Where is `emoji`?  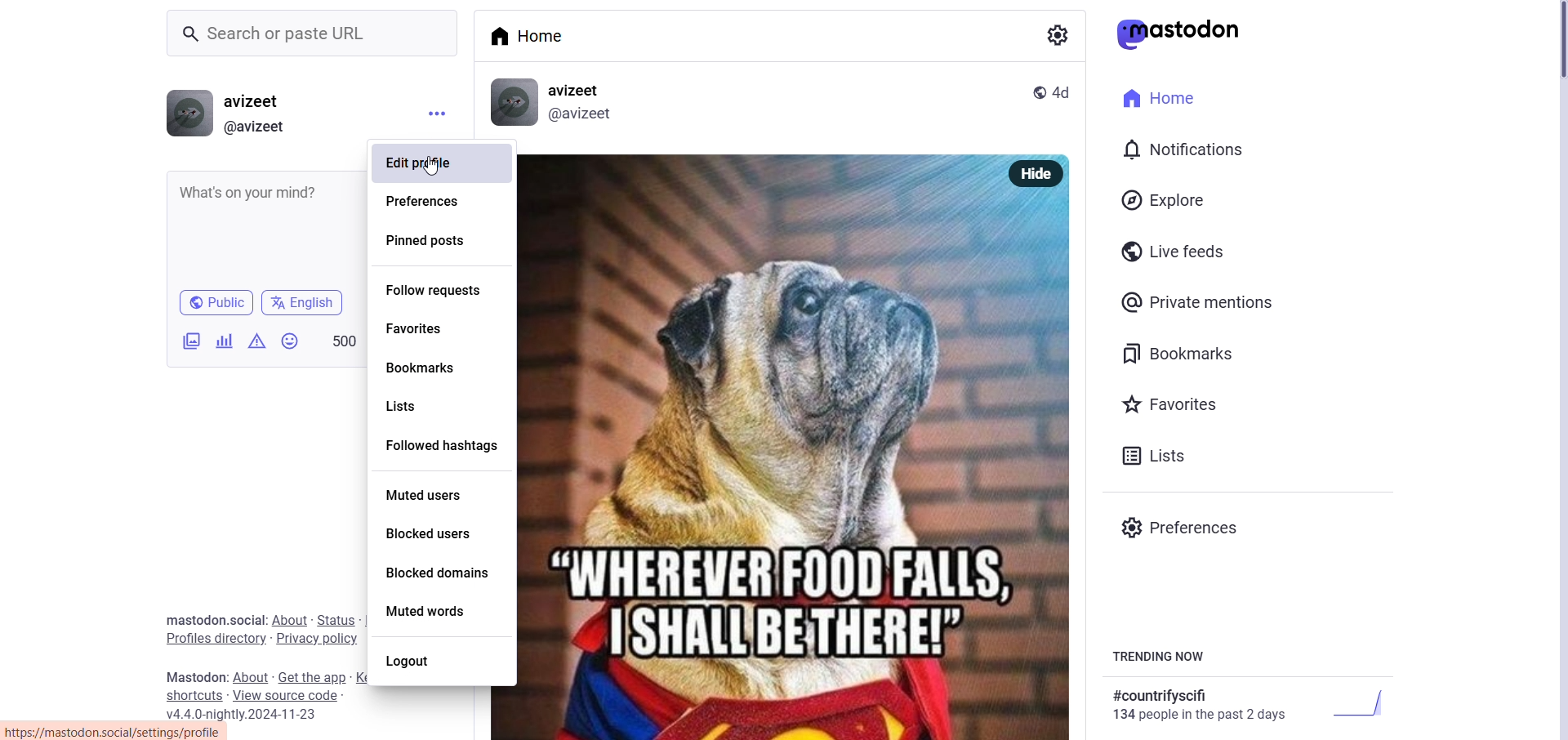
emoji is located at coordinates (290, 342).